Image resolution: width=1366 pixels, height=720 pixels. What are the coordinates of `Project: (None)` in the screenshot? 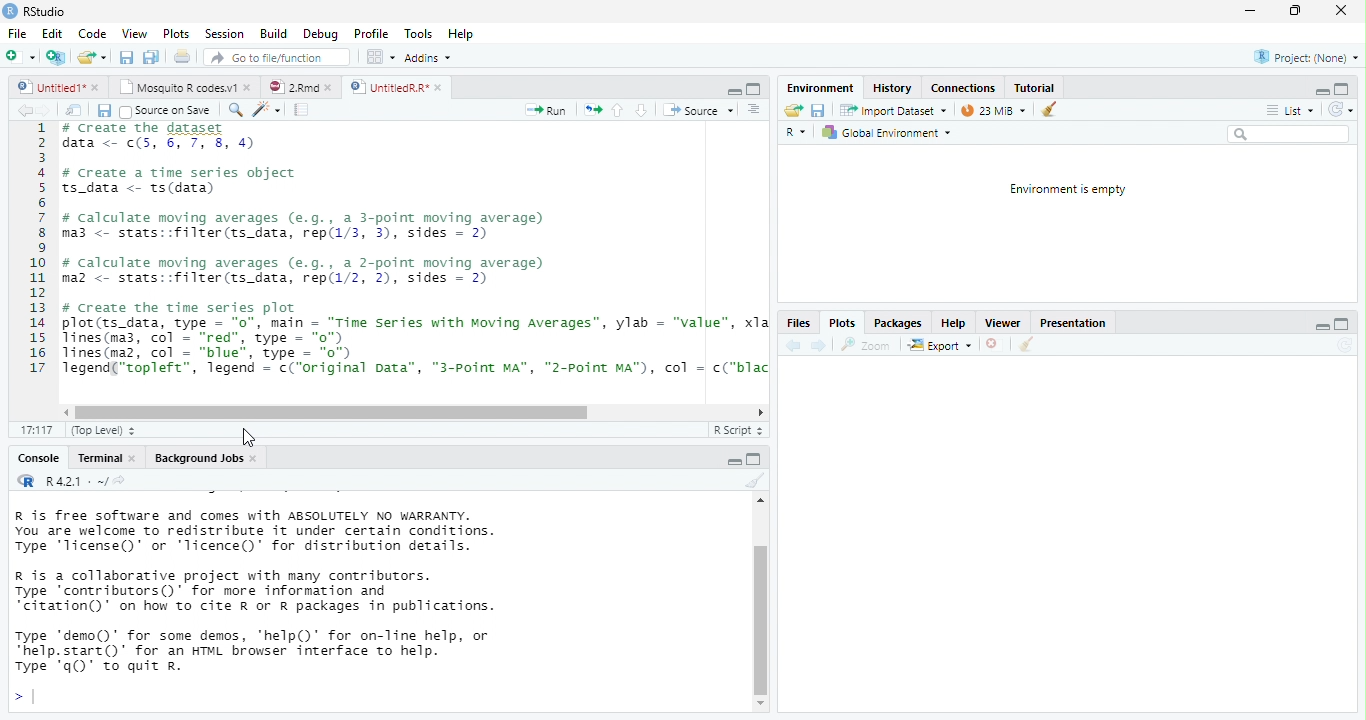 It's located at (1307, 58).